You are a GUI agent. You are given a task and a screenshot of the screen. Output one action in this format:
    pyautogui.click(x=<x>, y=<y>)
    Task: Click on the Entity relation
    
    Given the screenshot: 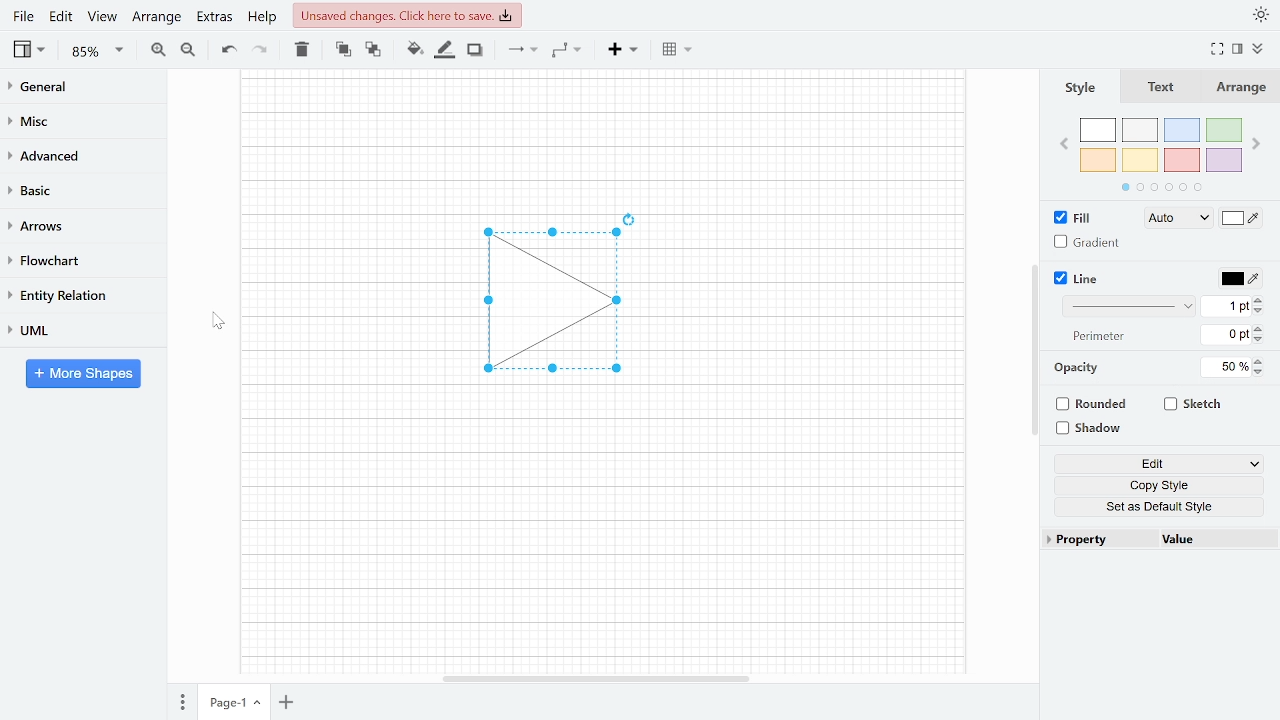 What is the action you would take?
    pyautogui.click(x=75, y=295)
    